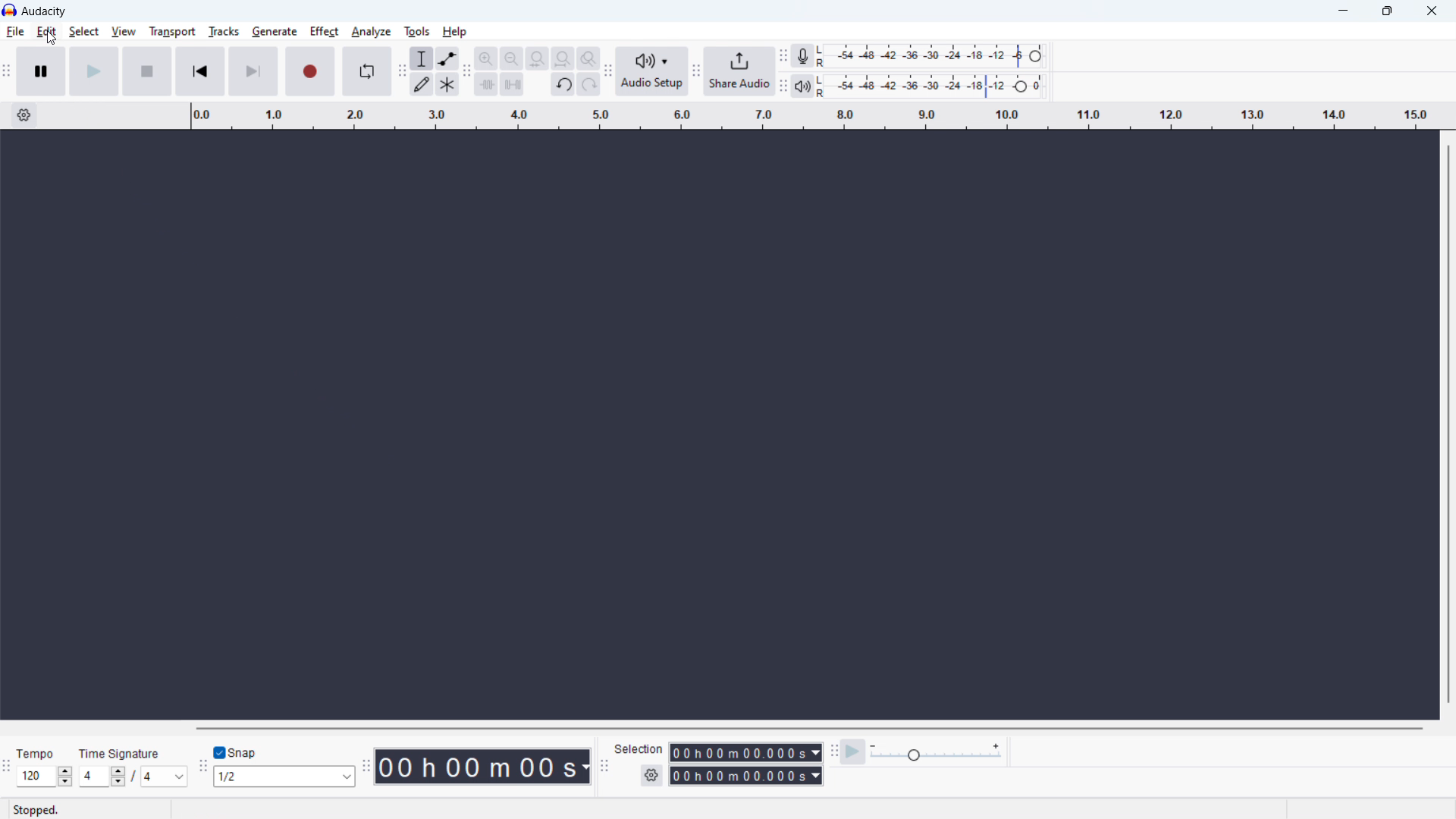  Describe the element at coordinates (486, 84) in the screenshot. I see `trim audio outside selection` at that location.